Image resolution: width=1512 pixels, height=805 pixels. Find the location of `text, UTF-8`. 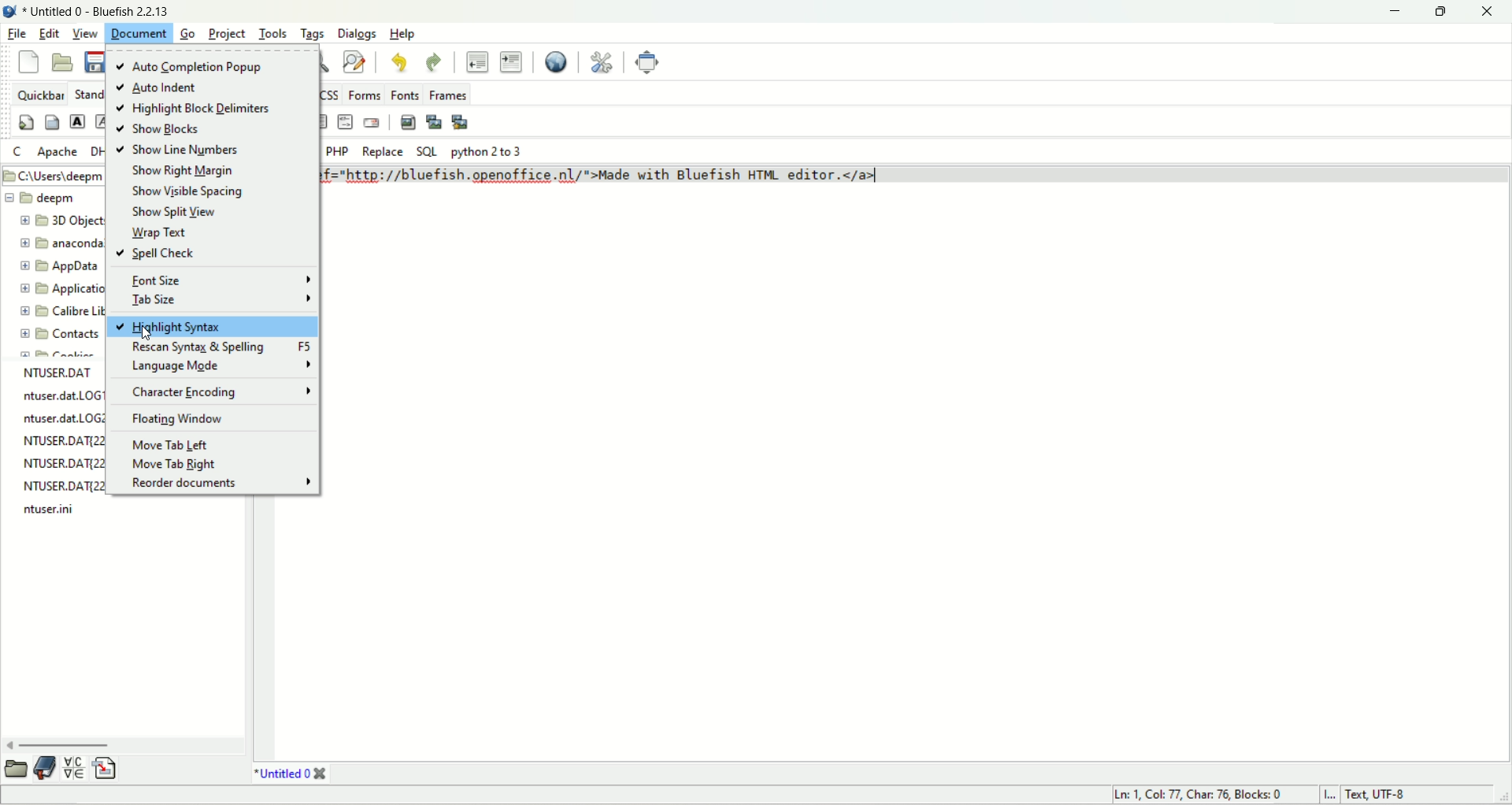

text, UTF-8 is located at coordinates (1387, 796).